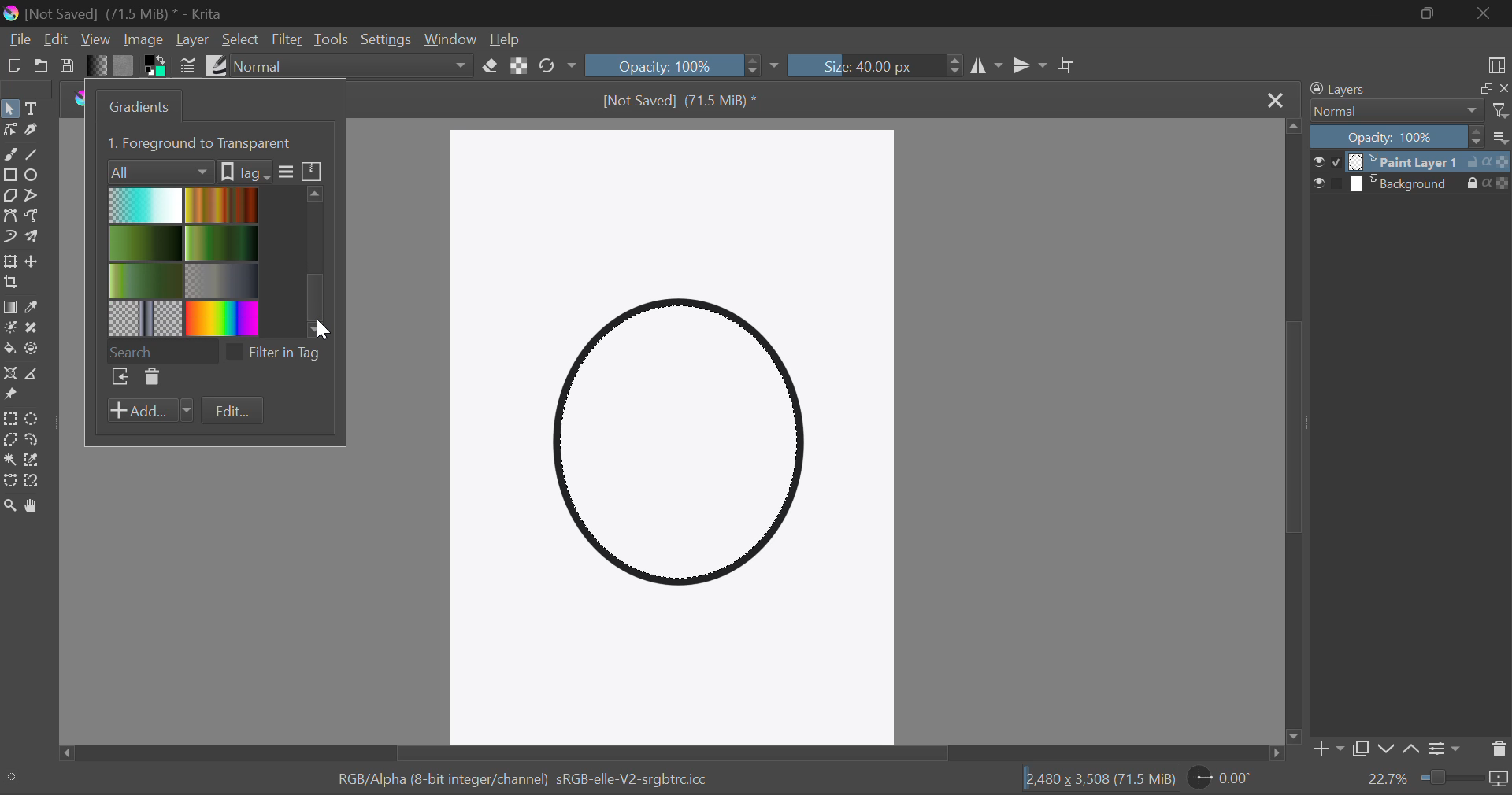  Describe the element at coordinates (37, 375) in the screenshot. I see `Measurement` at that location.